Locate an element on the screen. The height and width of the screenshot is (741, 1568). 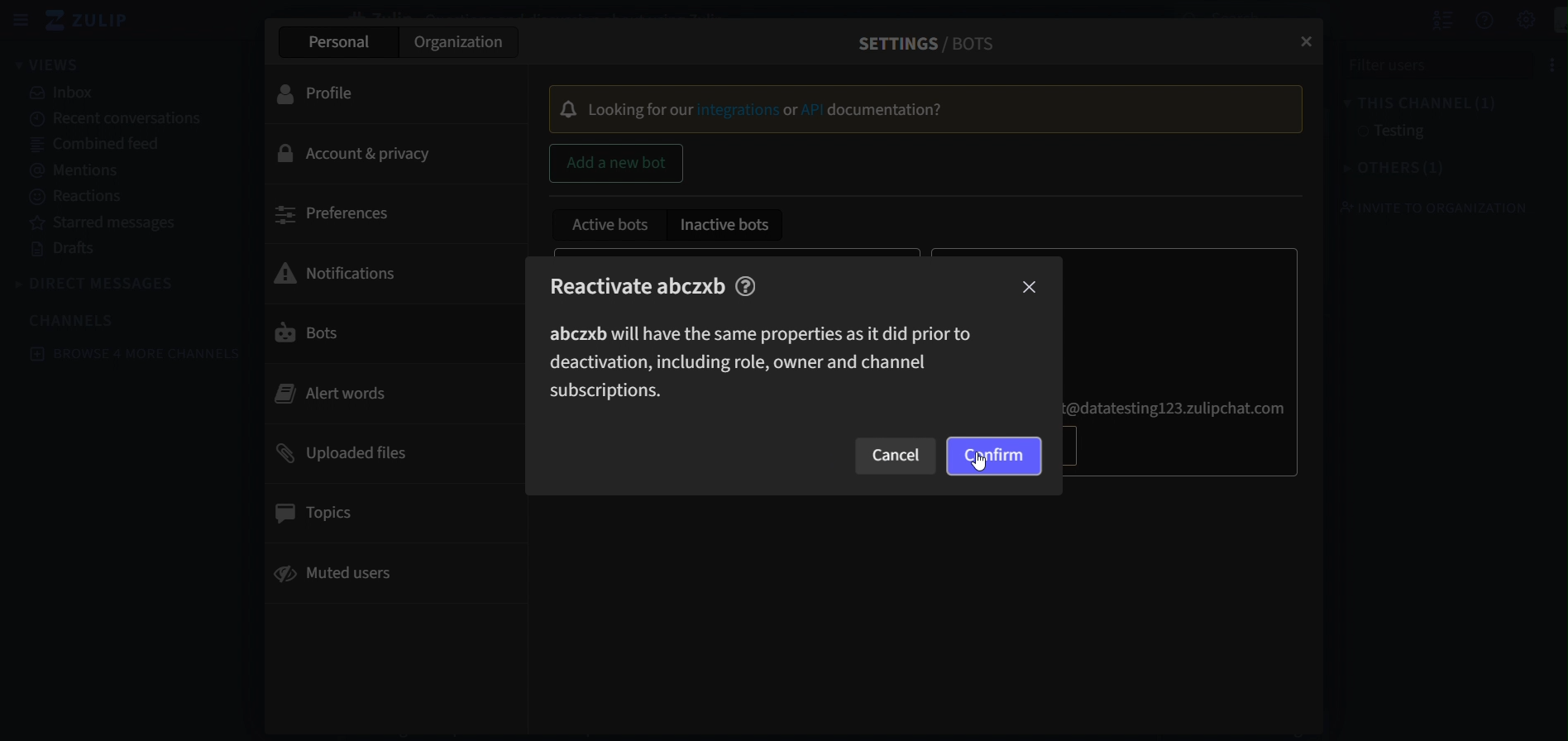
add a new bot is located at coordinates (616, 162).